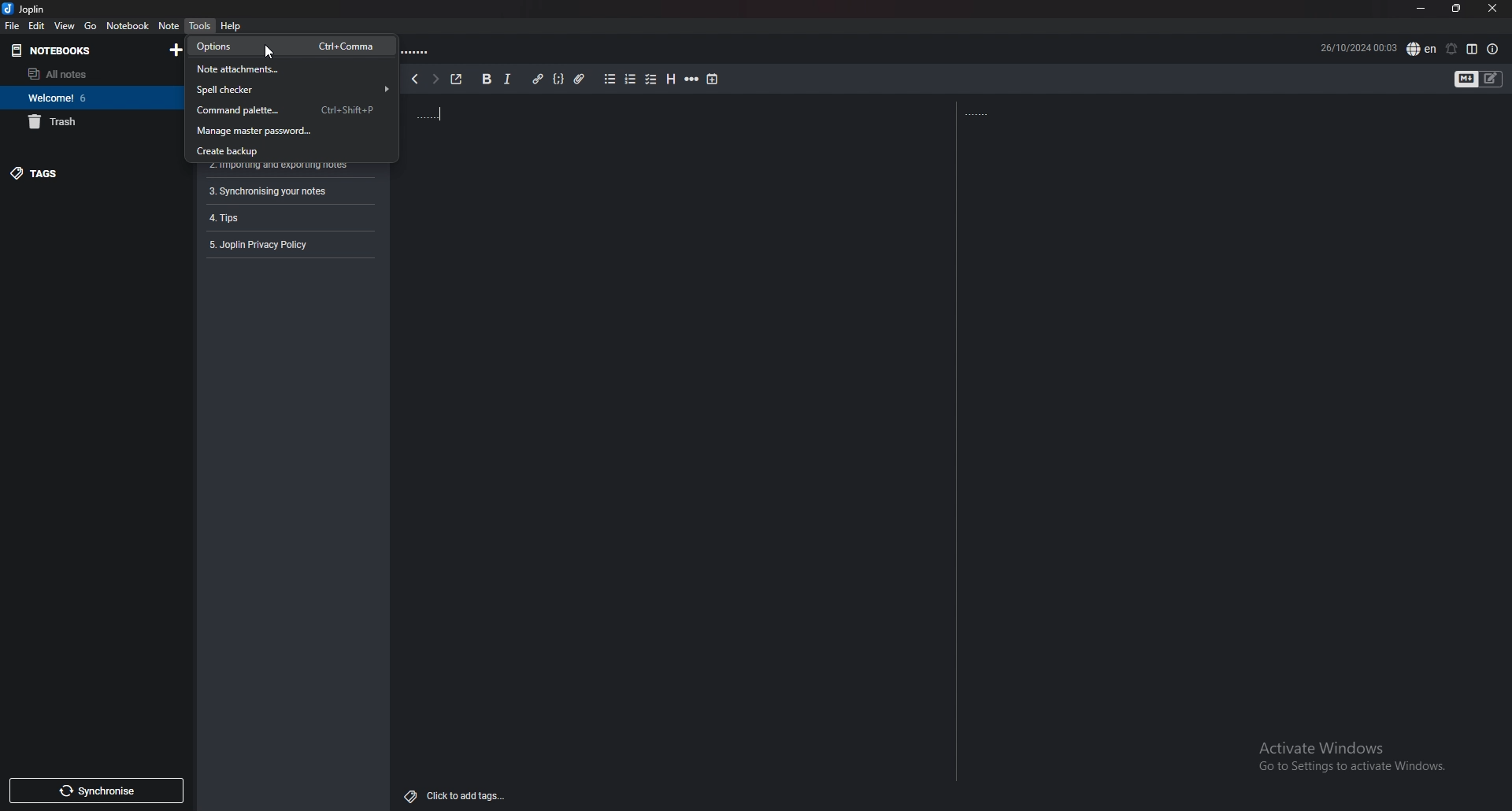  Describe the element at coordinates (269, 191) in the screenshot. I see `3. Synchronising your notes` at that location.